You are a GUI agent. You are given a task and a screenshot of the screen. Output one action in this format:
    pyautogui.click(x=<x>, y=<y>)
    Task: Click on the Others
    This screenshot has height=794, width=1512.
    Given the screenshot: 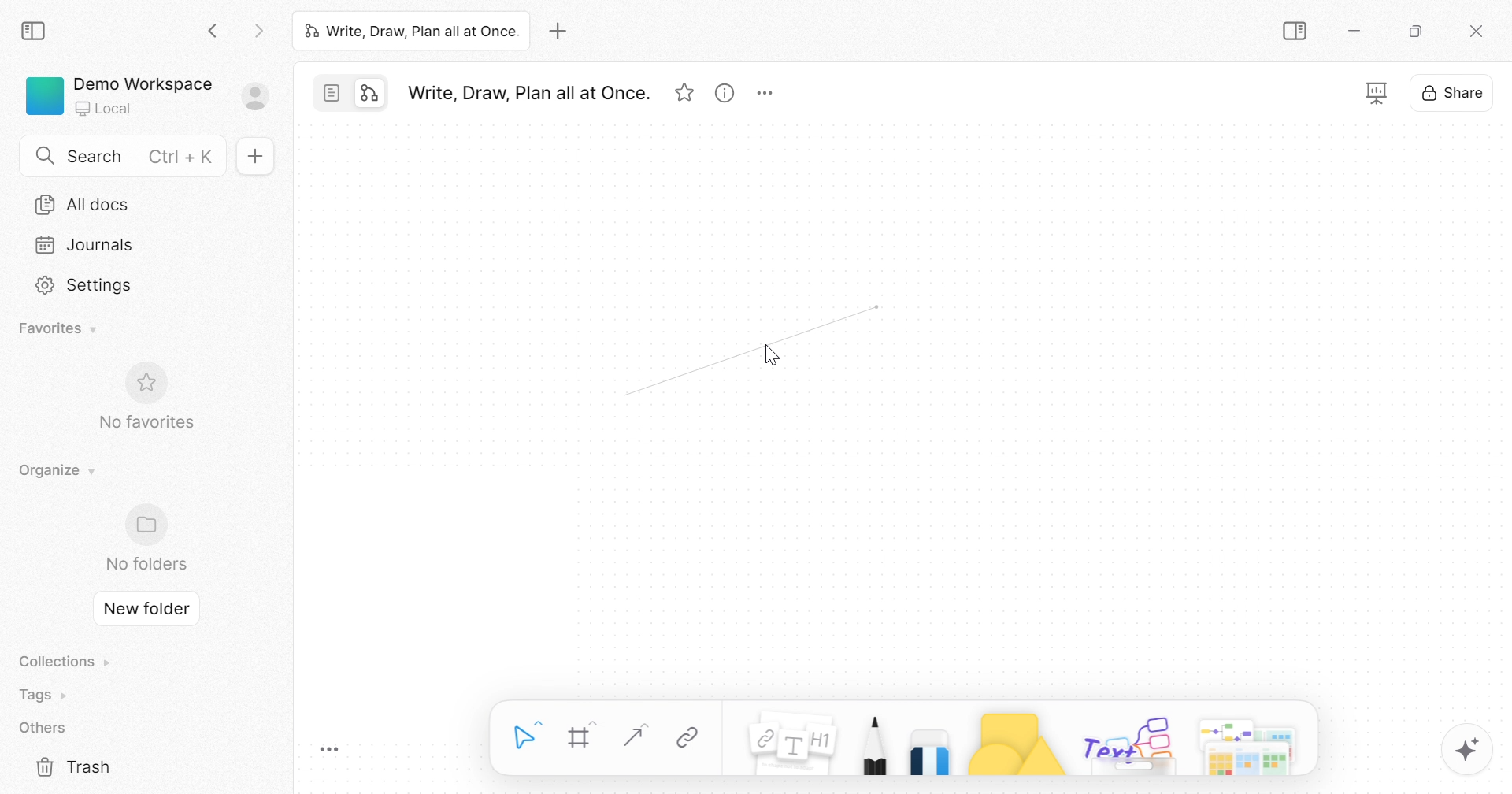 What is the action you would take?
    pyautogui.click(x=1129, y=743)
    